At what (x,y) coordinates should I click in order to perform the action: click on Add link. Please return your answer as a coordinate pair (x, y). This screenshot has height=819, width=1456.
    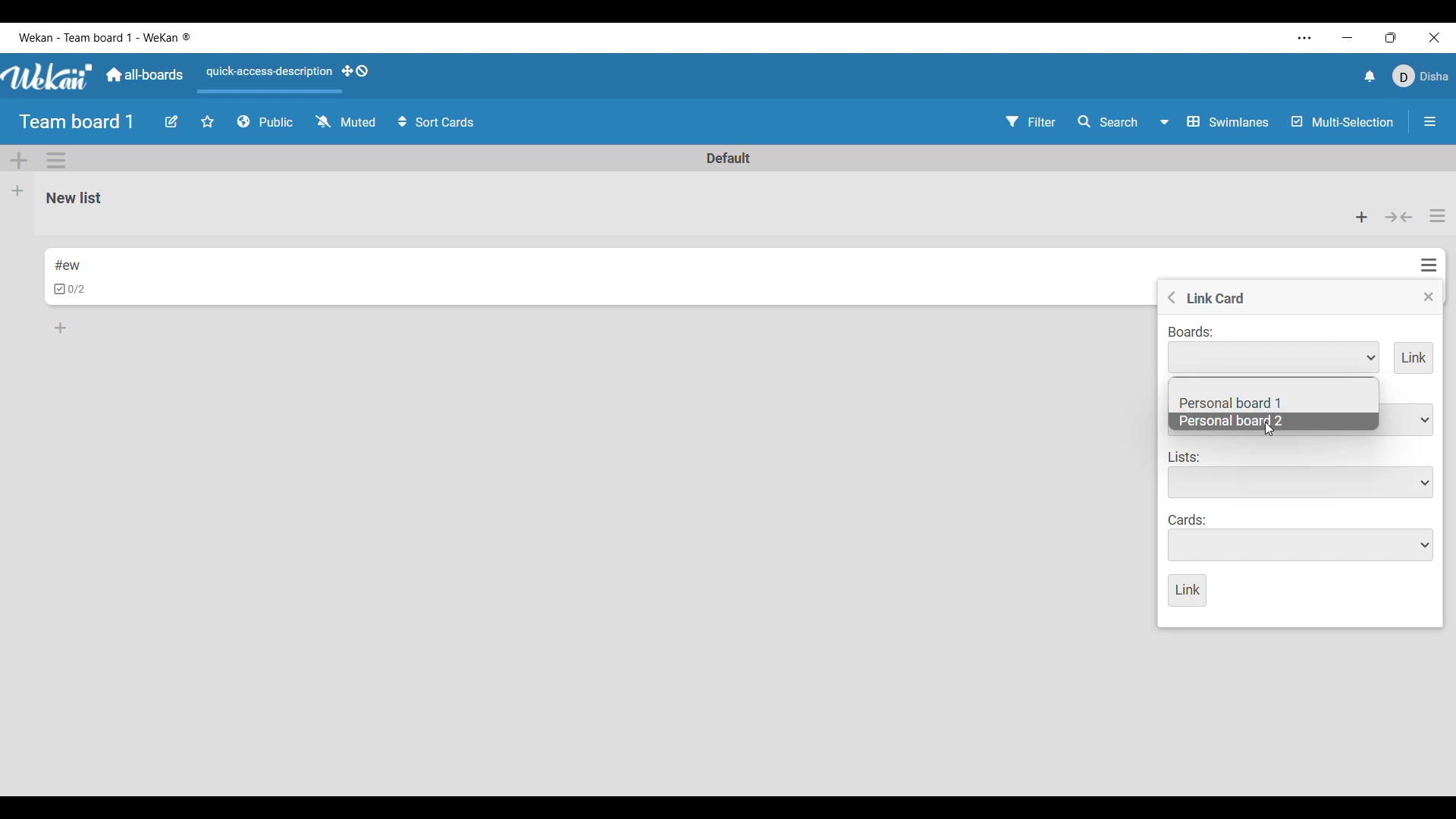
    Looking at the image, I should click on (1414, 358).